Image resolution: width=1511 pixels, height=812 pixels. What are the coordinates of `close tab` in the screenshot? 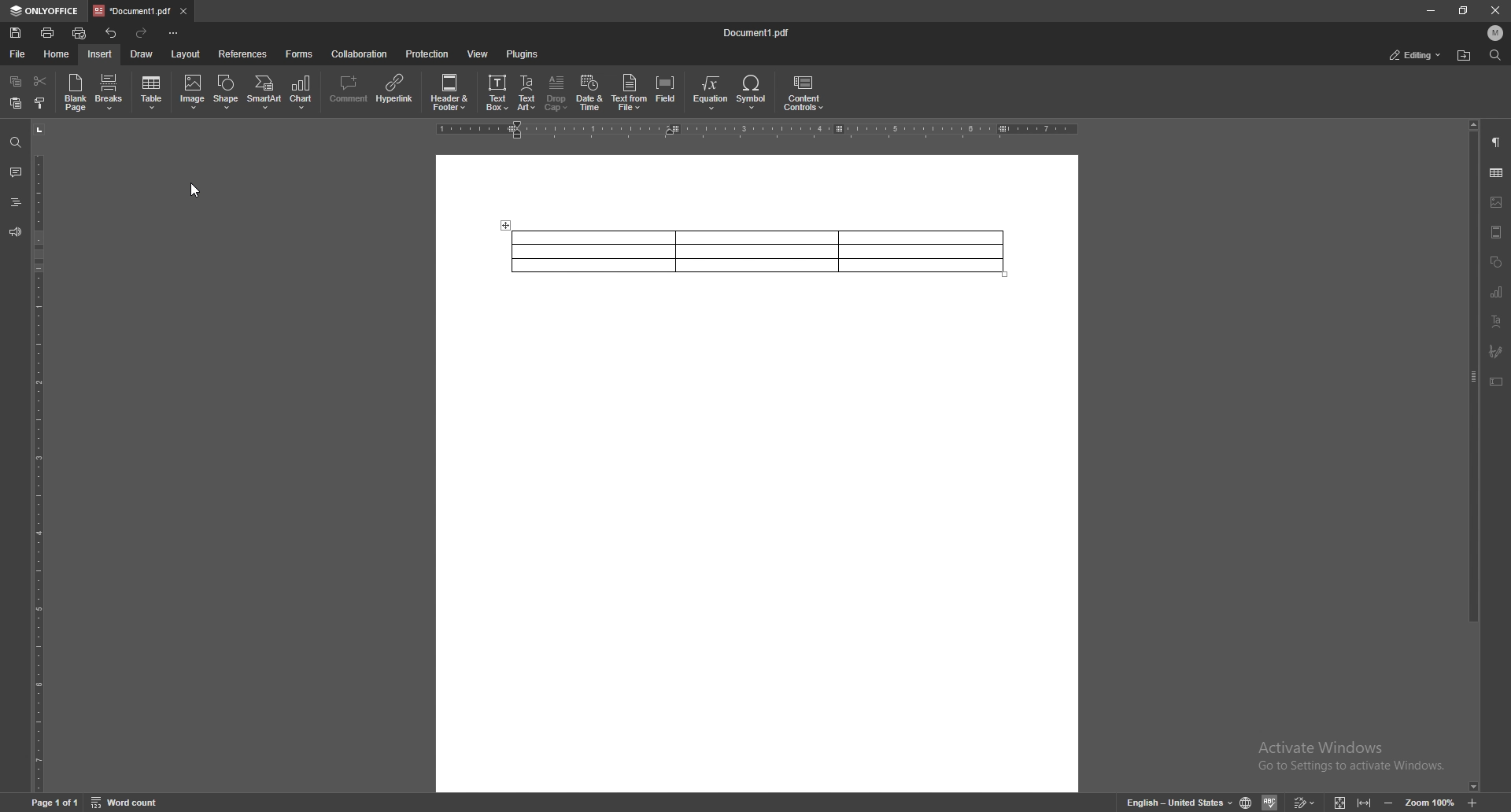 It's located at (184, 12).